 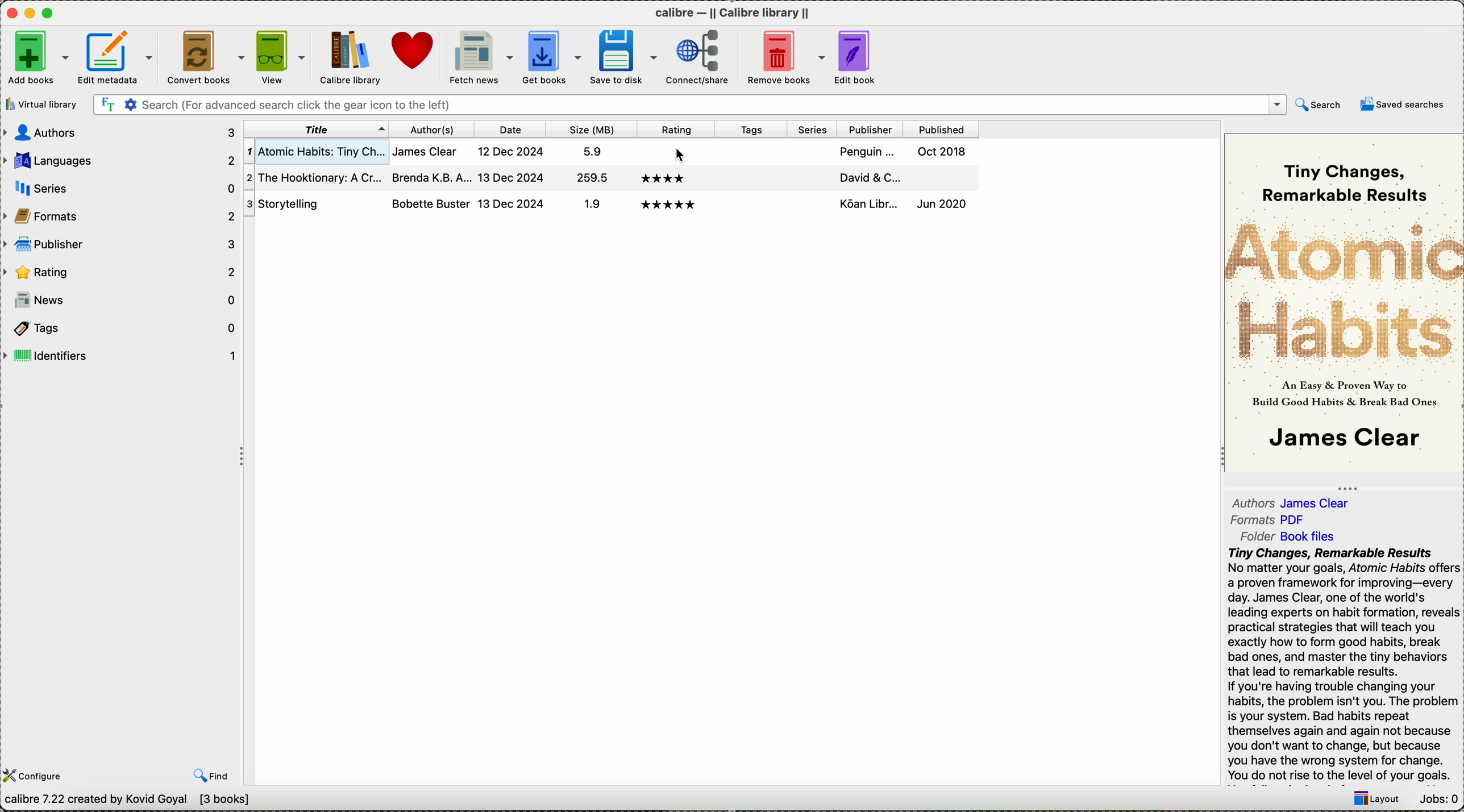 What do you see at coordinates (510, 203) in the screenshot?
I see `13 dec 2024` at bounding box center [510, 203].